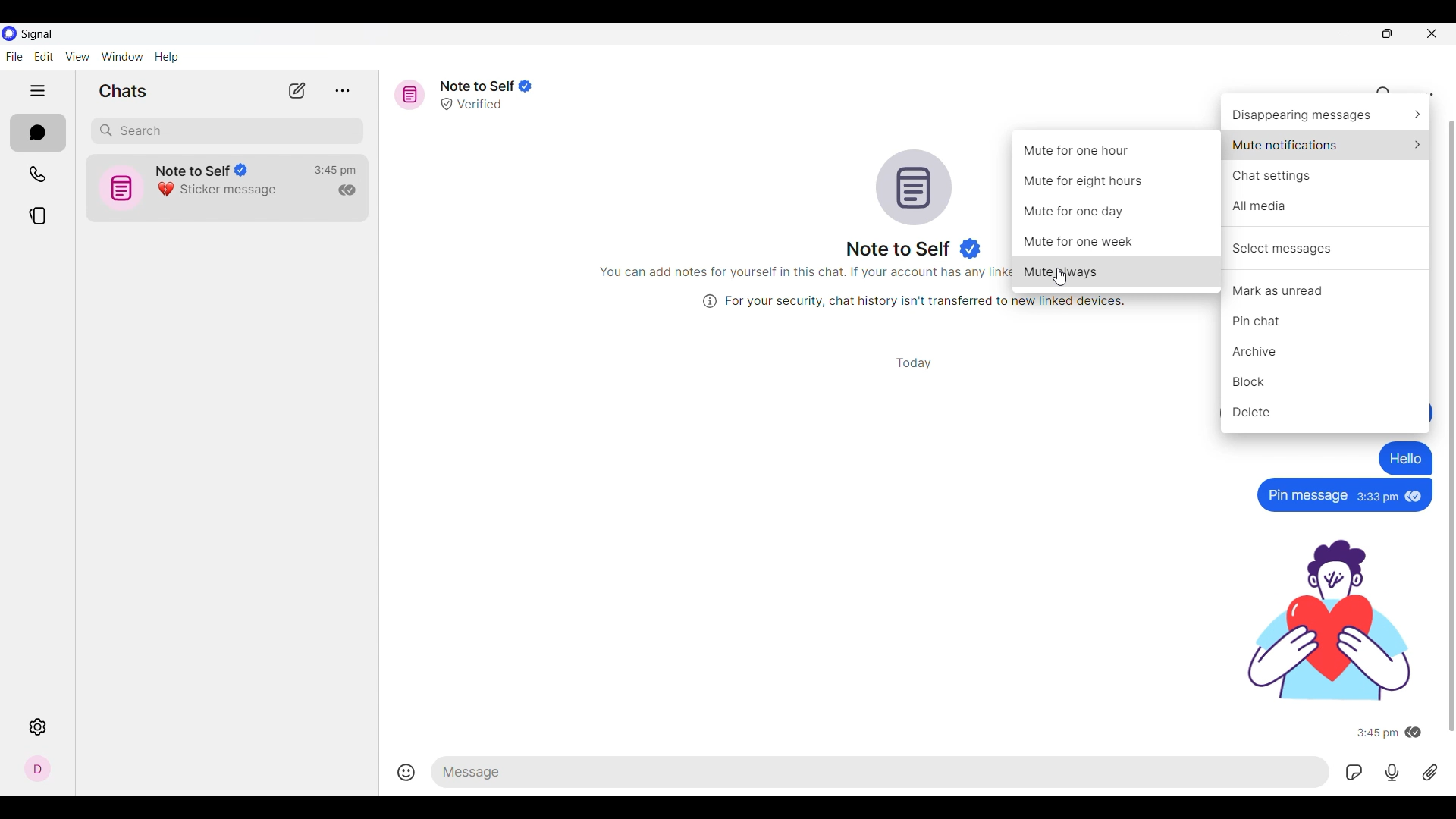 The height and width of the screenshot is (819, 1456). I want to click on 3:33pm, so click(1377, 498).